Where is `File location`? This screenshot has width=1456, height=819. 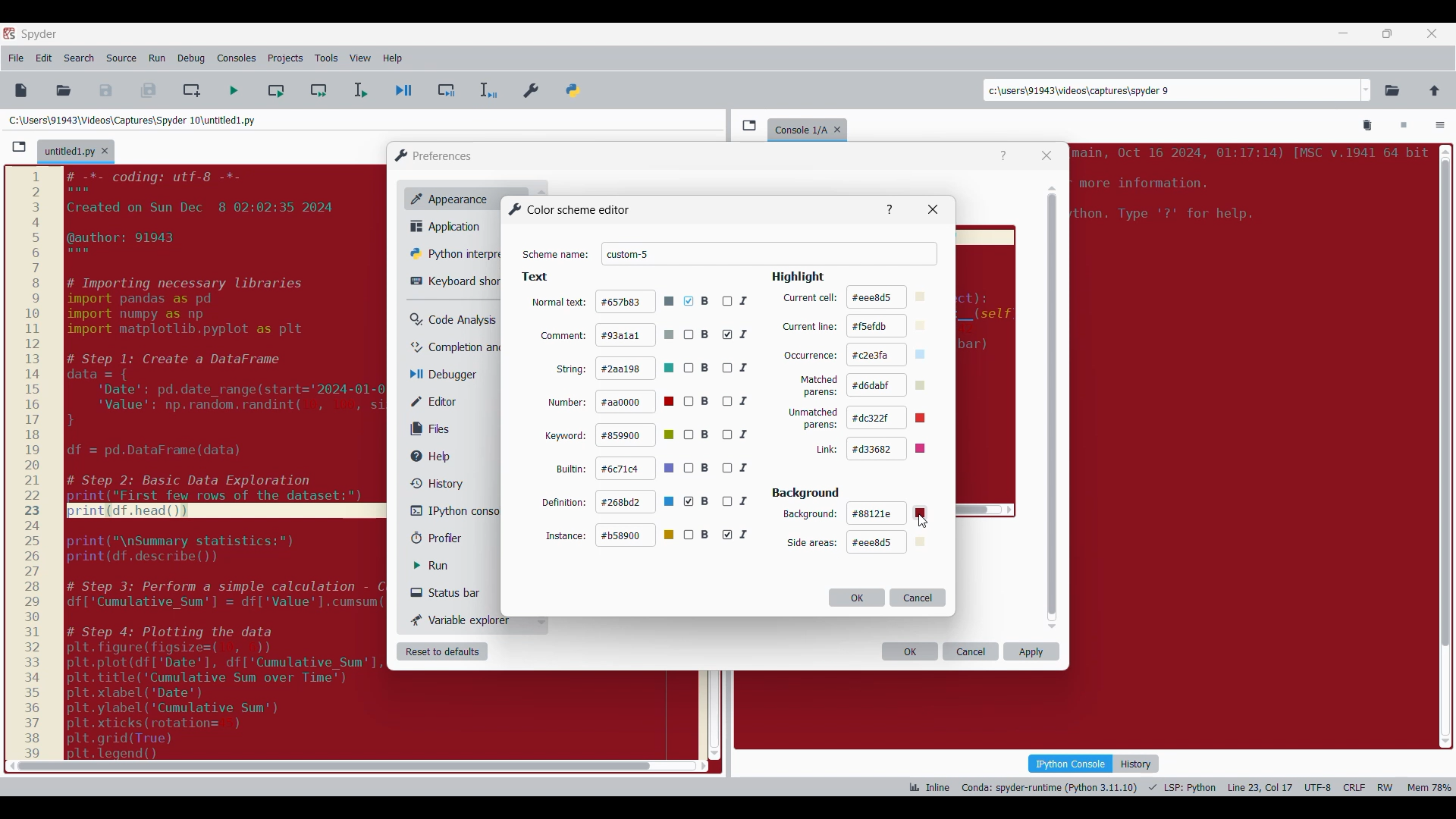 File location is located at coordinates (132, 120).